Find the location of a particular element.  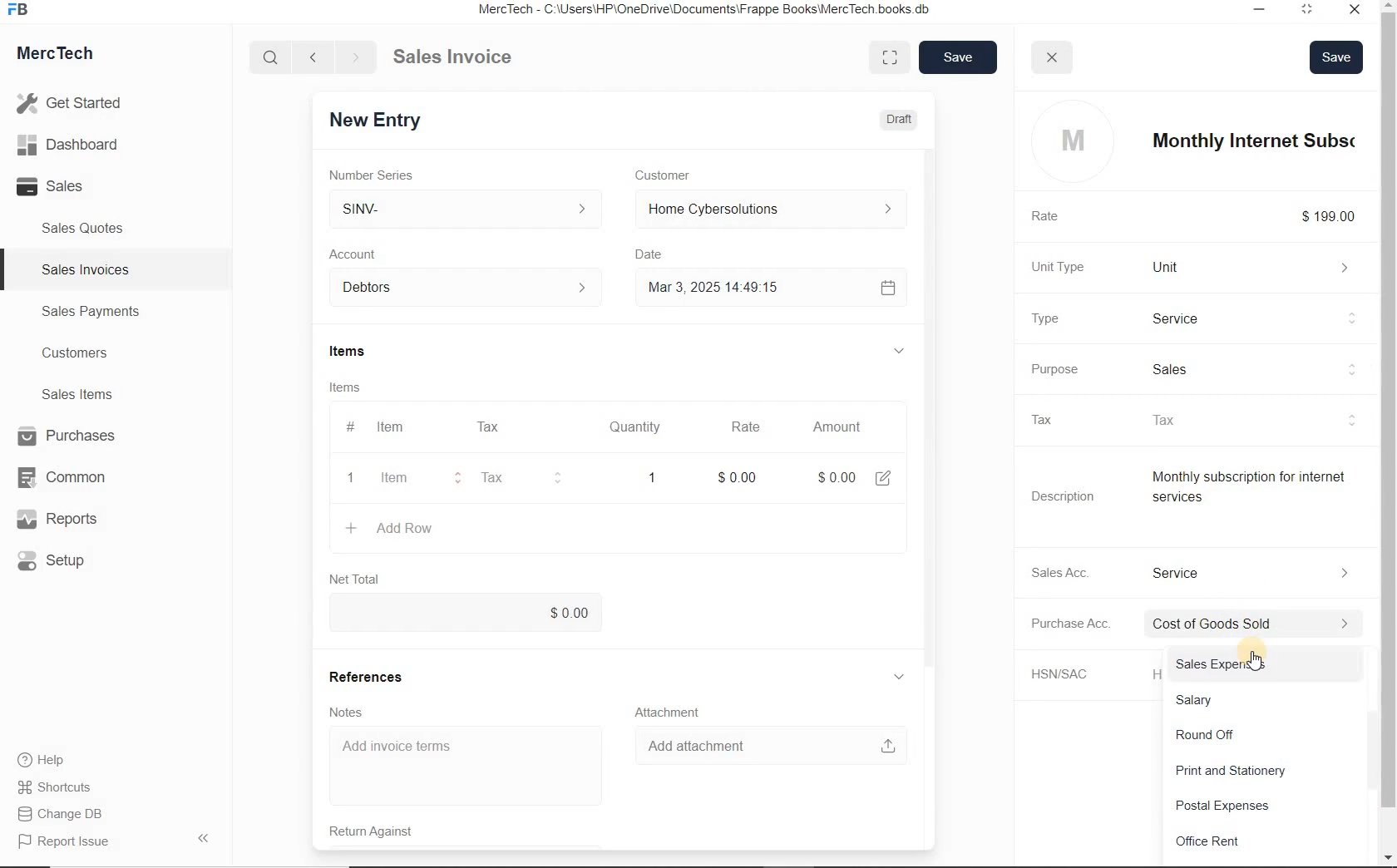

Change DB is located at coordinates (62, 814).